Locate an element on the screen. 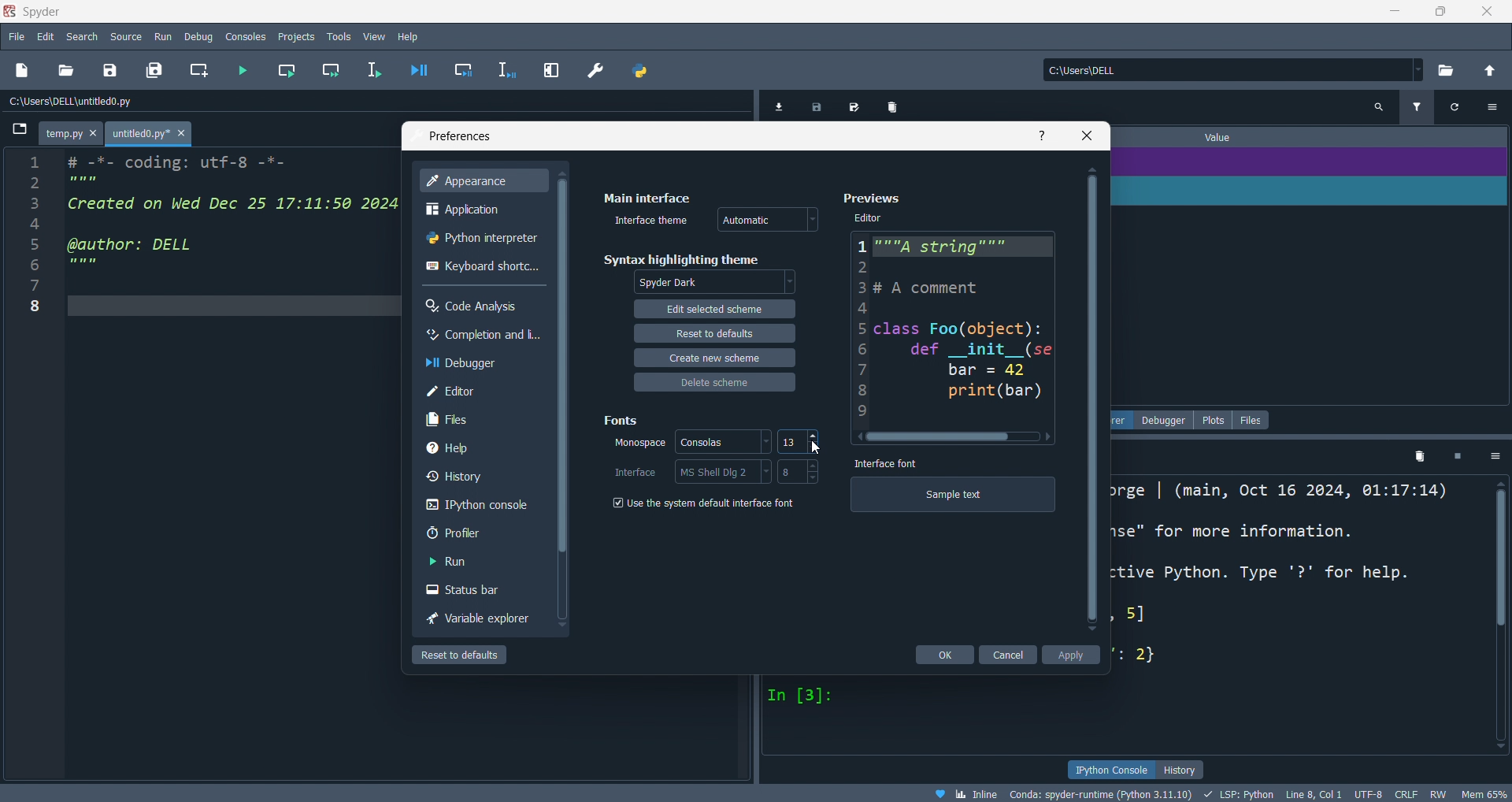  3 Created on Wed Dec 25 17:11:50 2024 is located at coordinates (214, 206).